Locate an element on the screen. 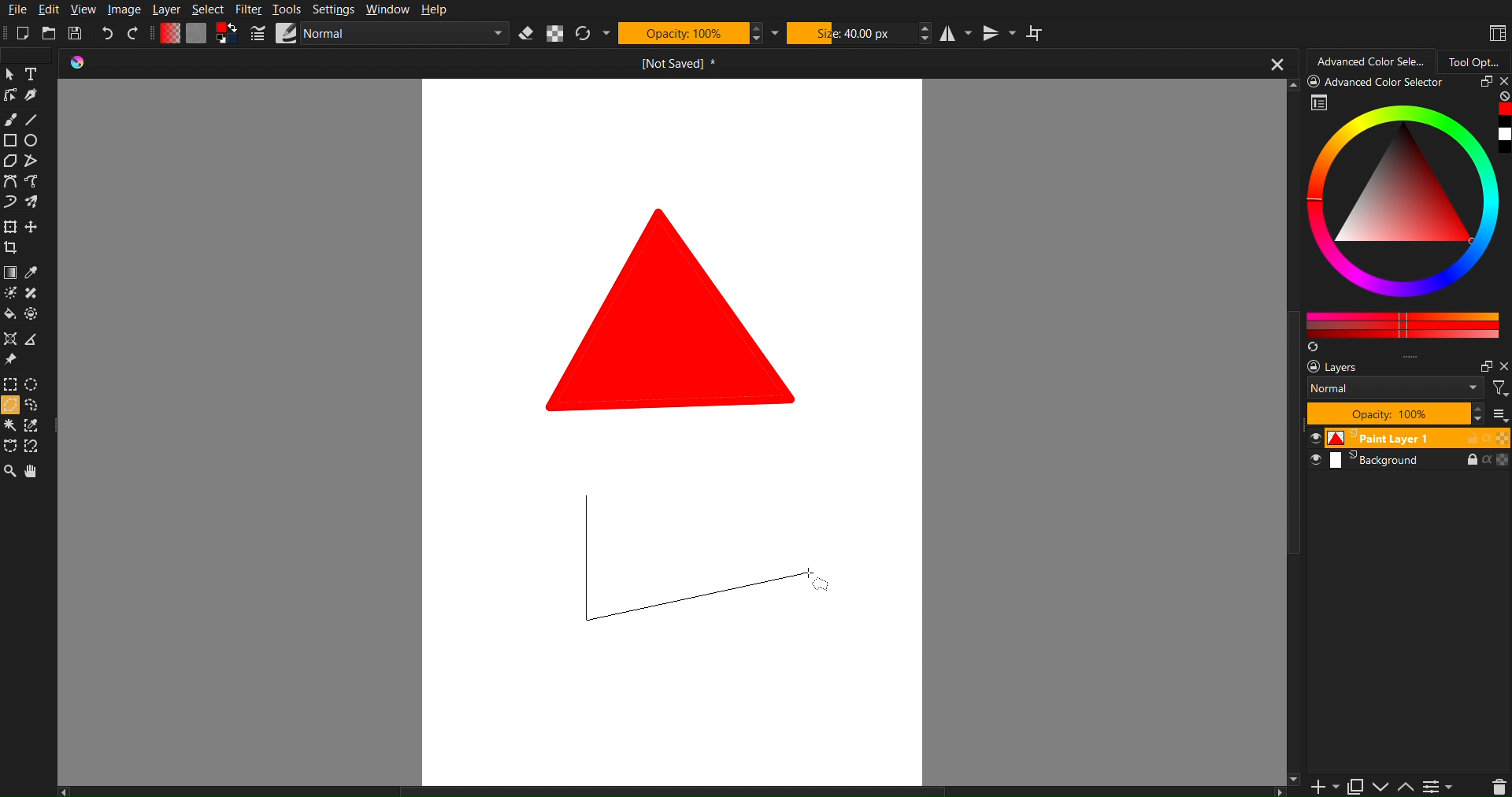  Settings is located at coordinates (332, 9).